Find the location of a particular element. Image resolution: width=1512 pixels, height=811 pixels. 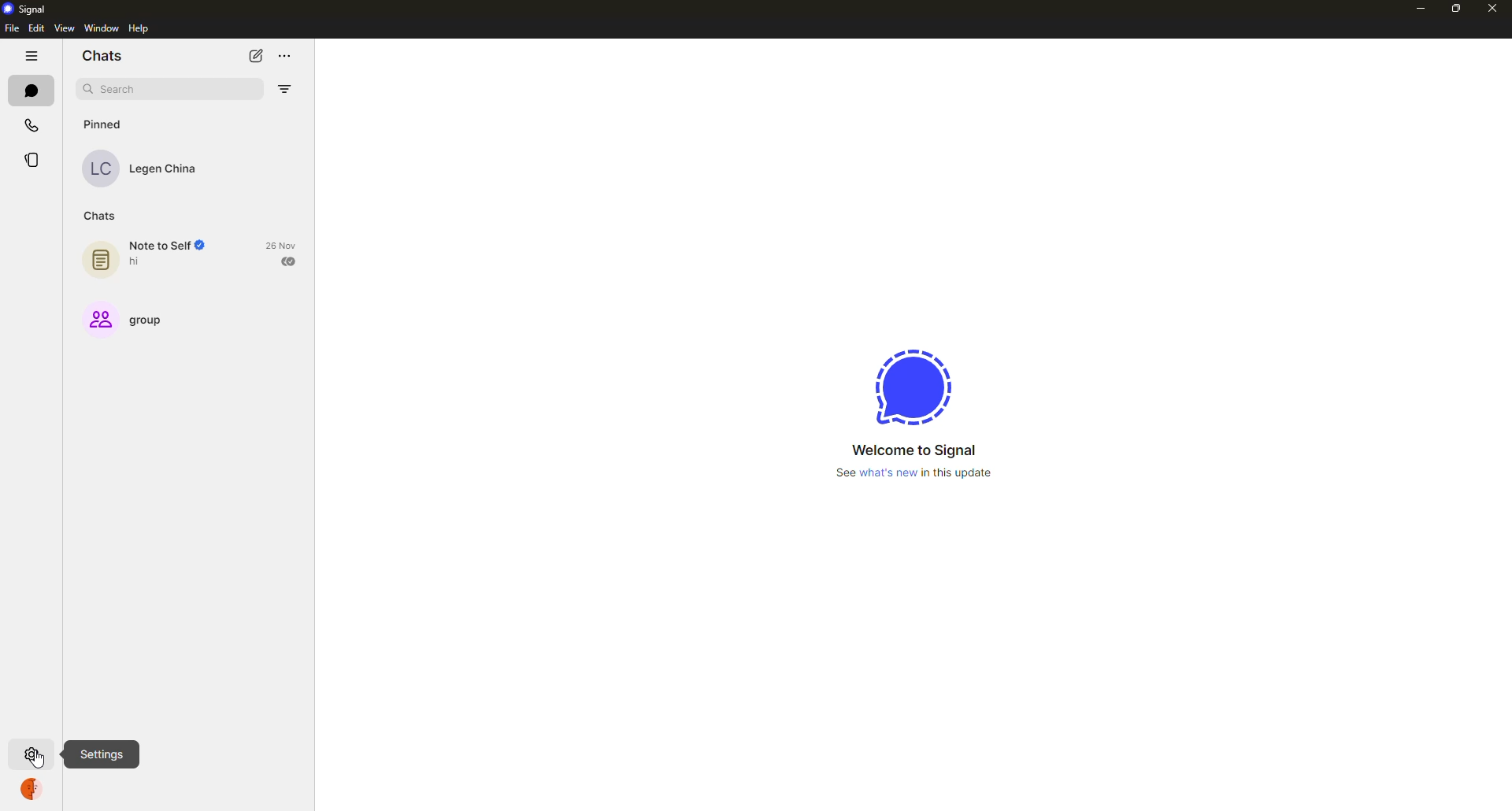

calls is located at coordinates (29, 124).